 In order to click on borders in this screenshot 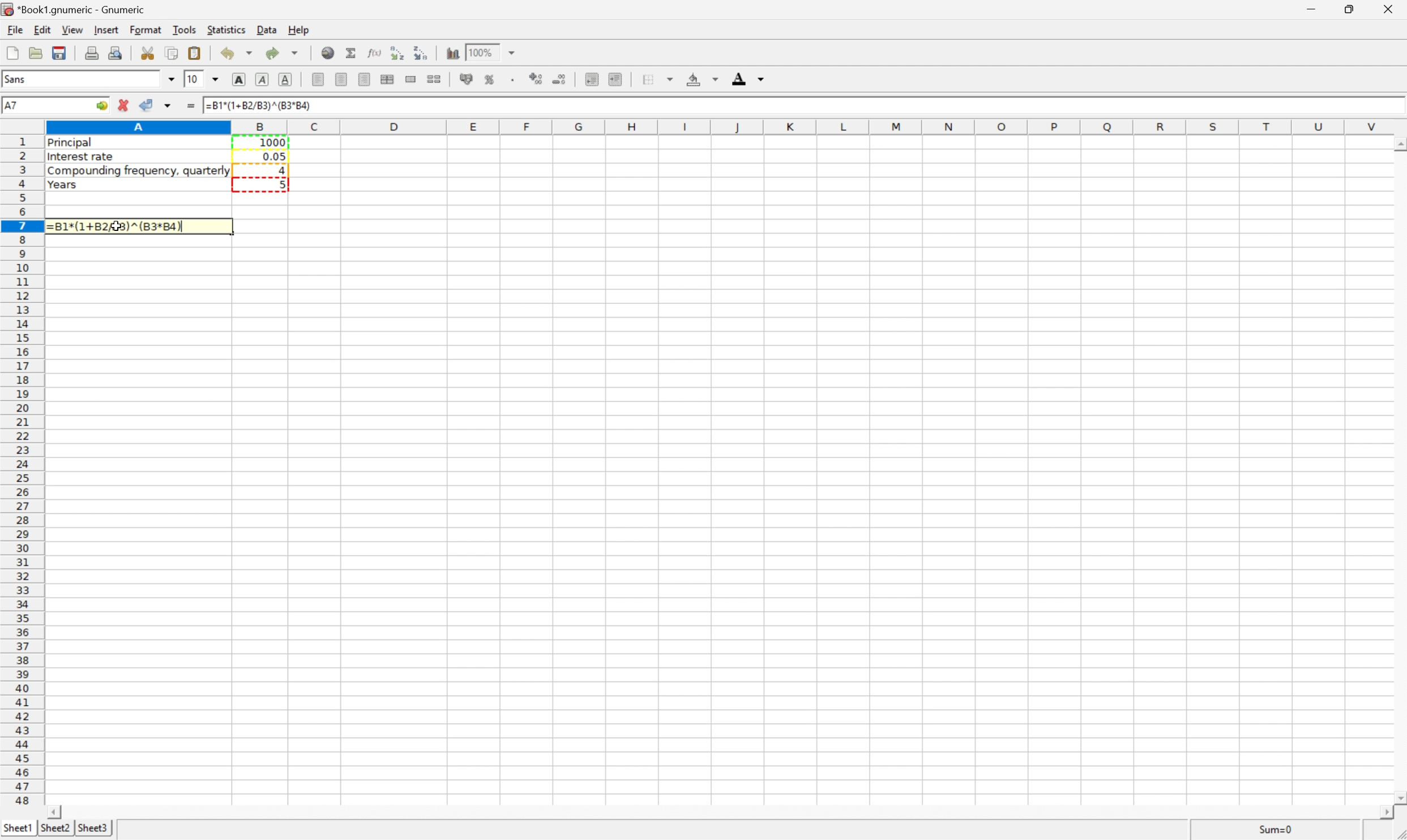, I will do `click(658, 78)`.